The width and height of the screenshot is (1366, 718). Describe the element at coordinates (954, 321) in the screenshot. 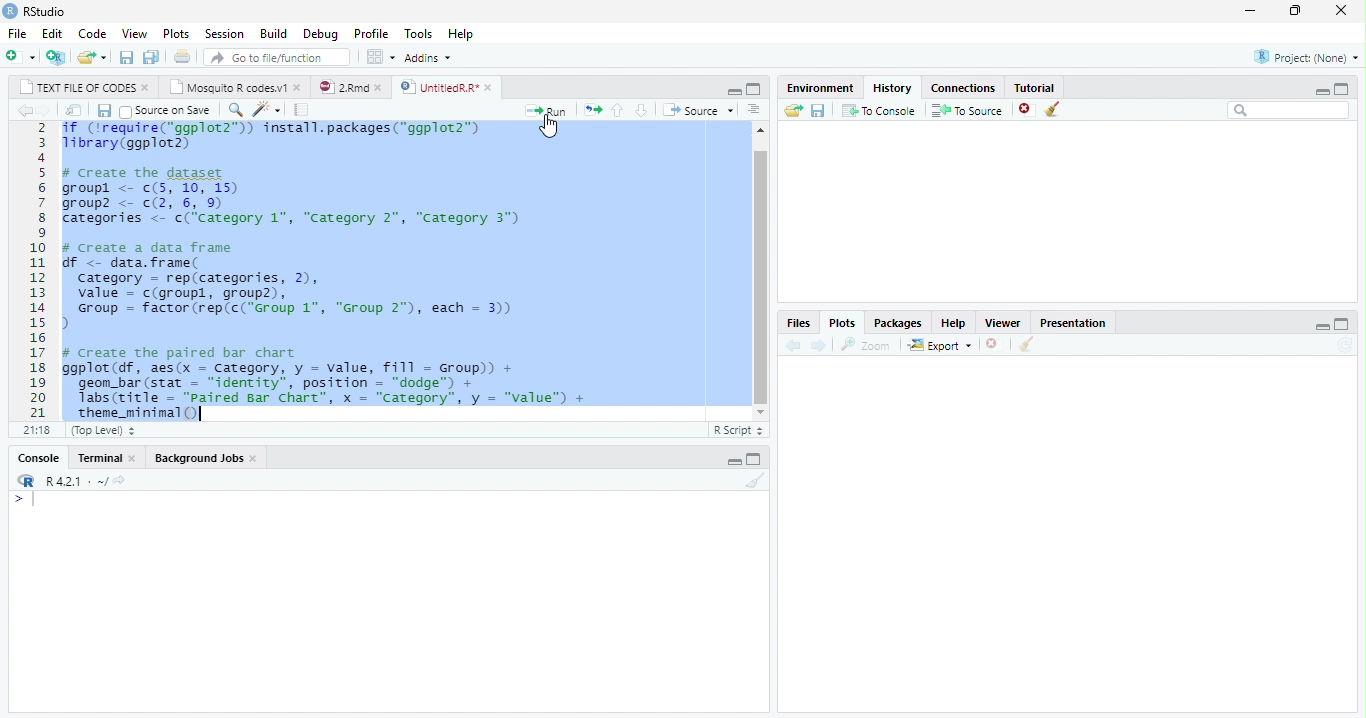

I see `help` at that location.